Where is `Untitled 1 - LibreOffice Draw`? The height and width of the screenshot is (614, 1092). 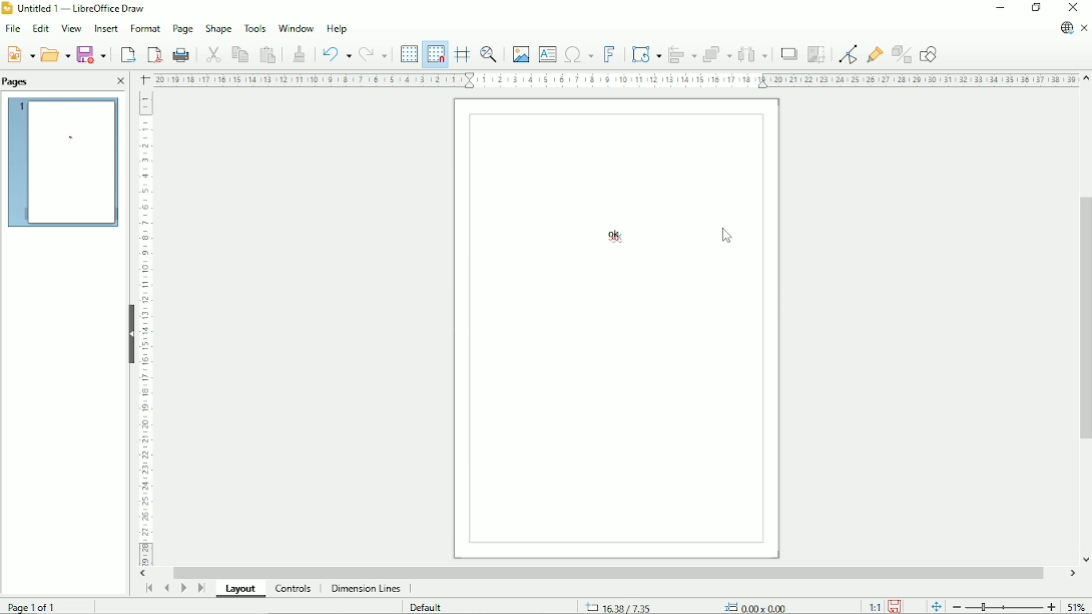 Untitled 1 - LibreOffice Draw is located at coordinates (79, 8).